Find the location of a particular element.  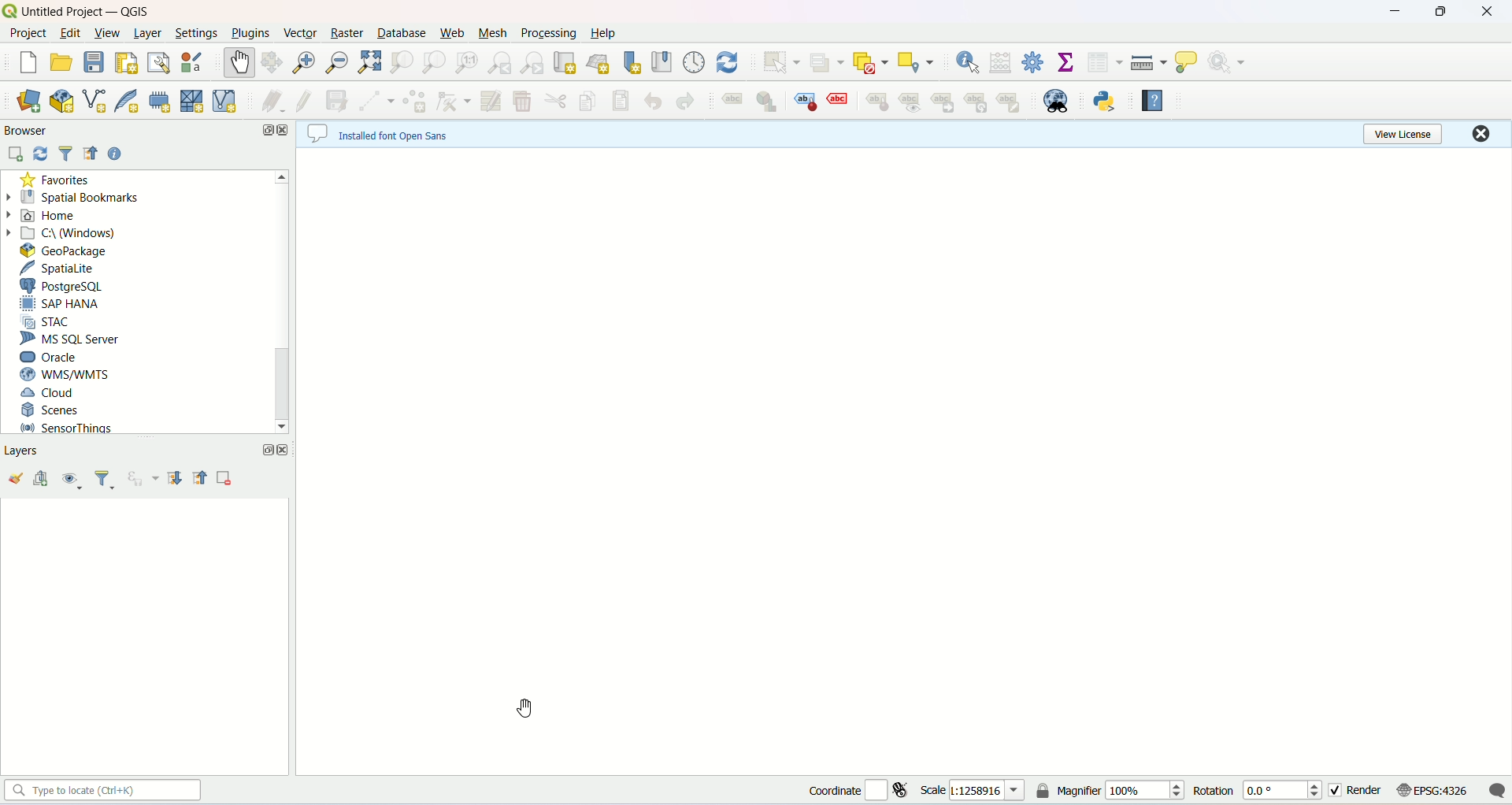

coordinate is located at coordinates (849, 792).